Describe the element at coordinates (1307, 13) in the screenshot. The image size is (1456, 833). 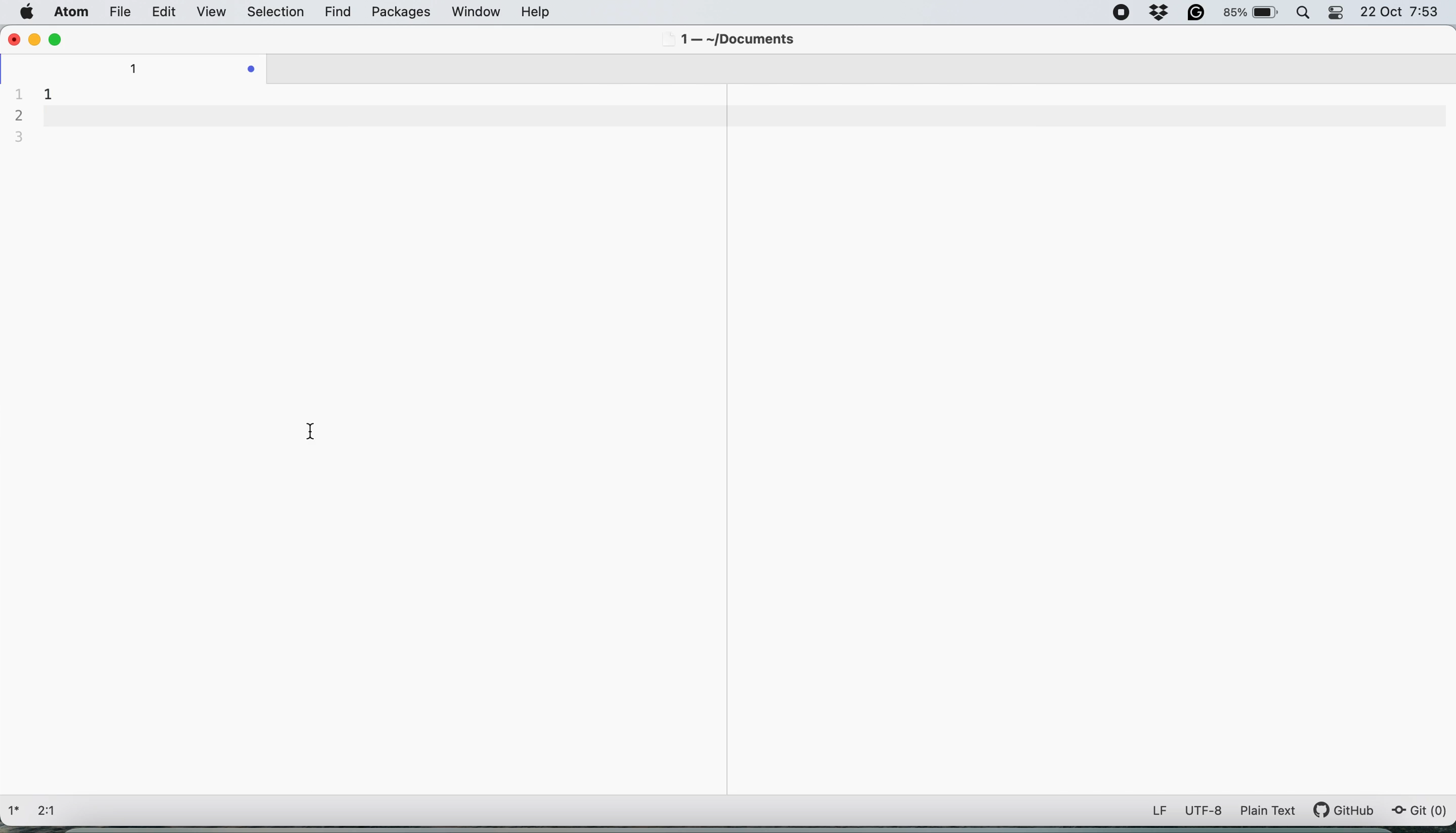
I see `spotlight search` at that location.